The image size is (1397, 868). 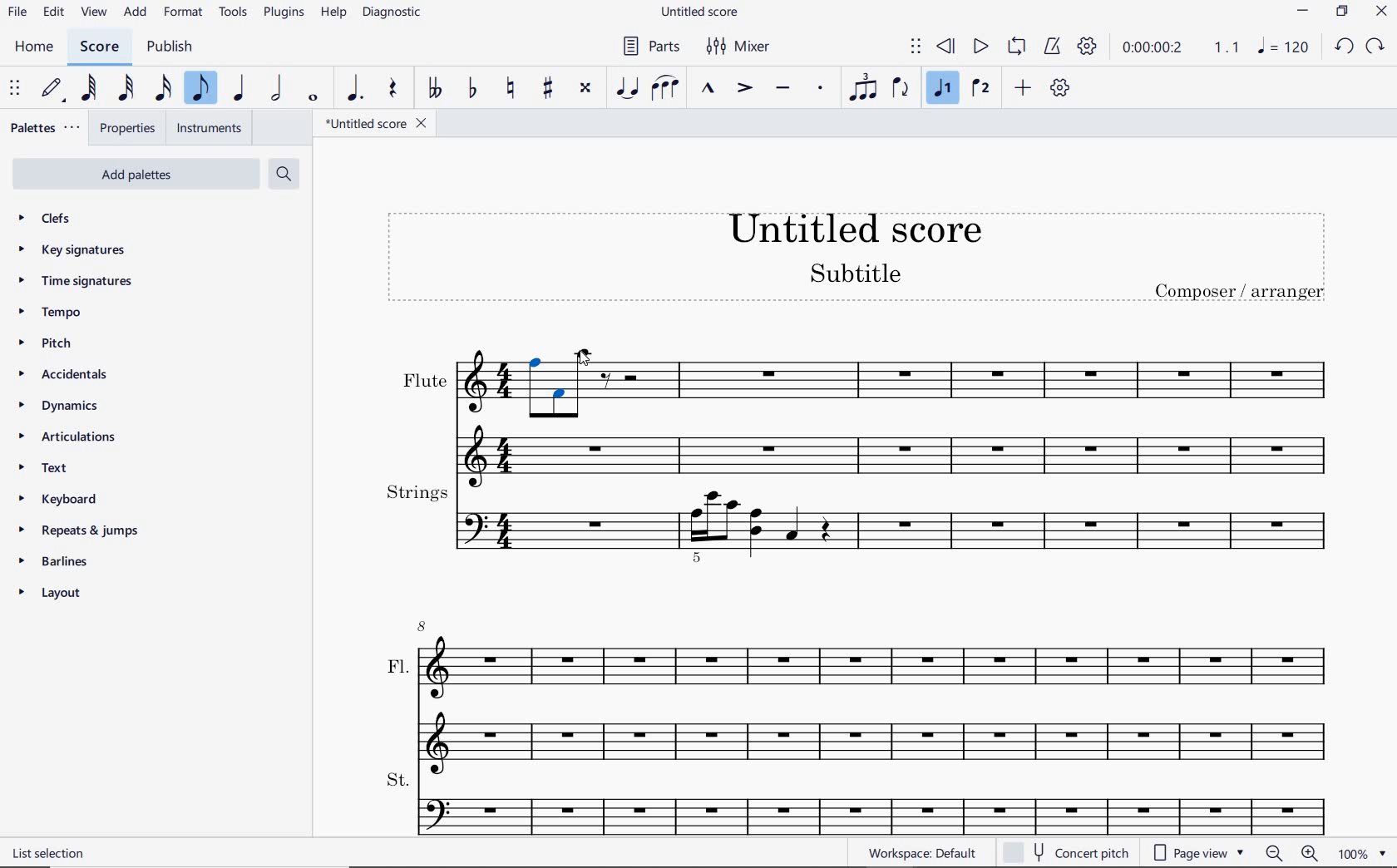 What do you see at coordinates (980, 89) in the screenshot?
I see `VOICE 2` at bounding box center [980, 89].